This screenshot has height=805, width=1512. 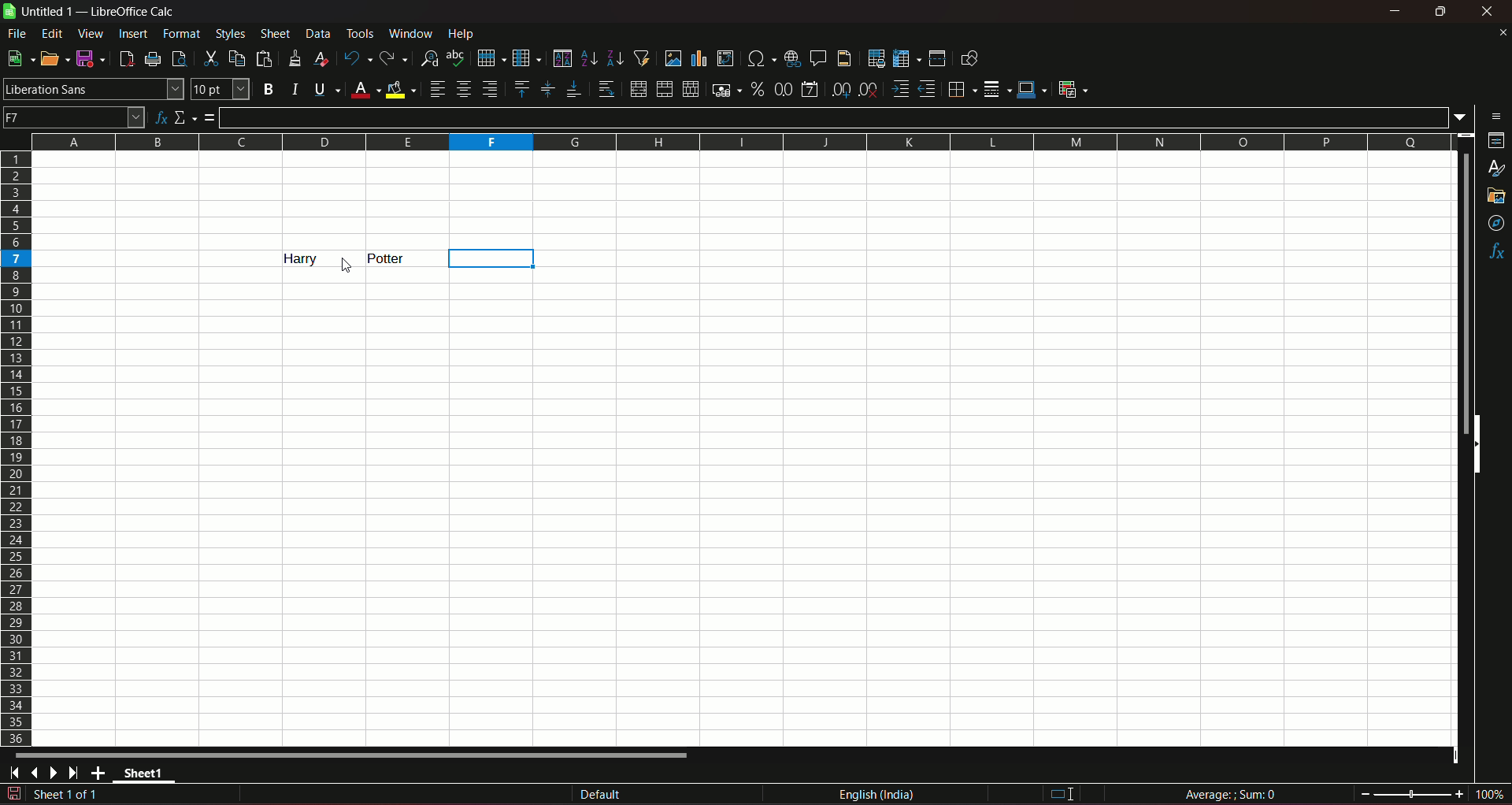 I want to click on sheet name, so click(x=40, y=12).